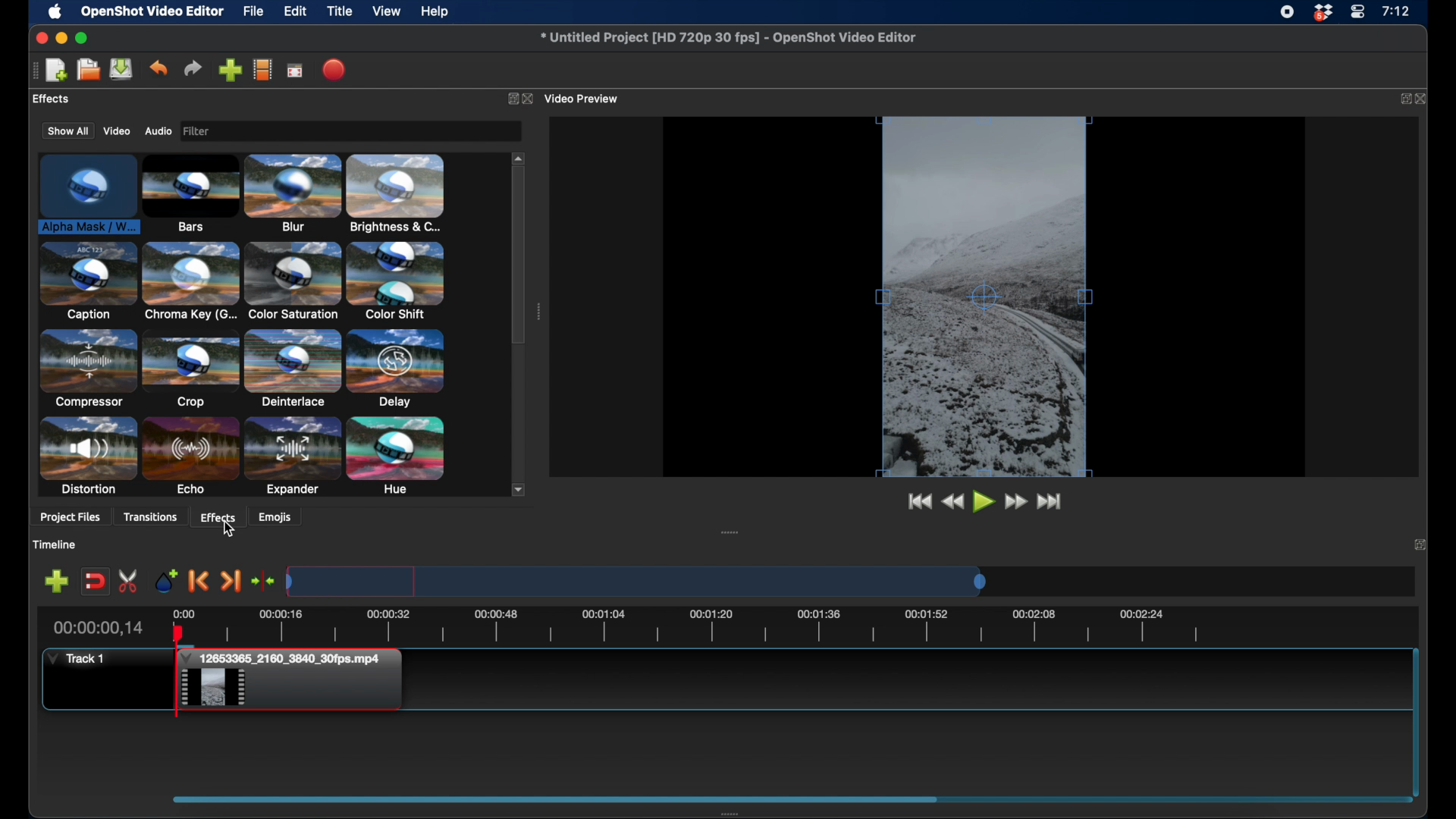 Image resolution: width=1456 pixels, height=819 pixels. Describe the element at coordinates (293, 368) in the screenshot. I see `deinterlace` at that location.